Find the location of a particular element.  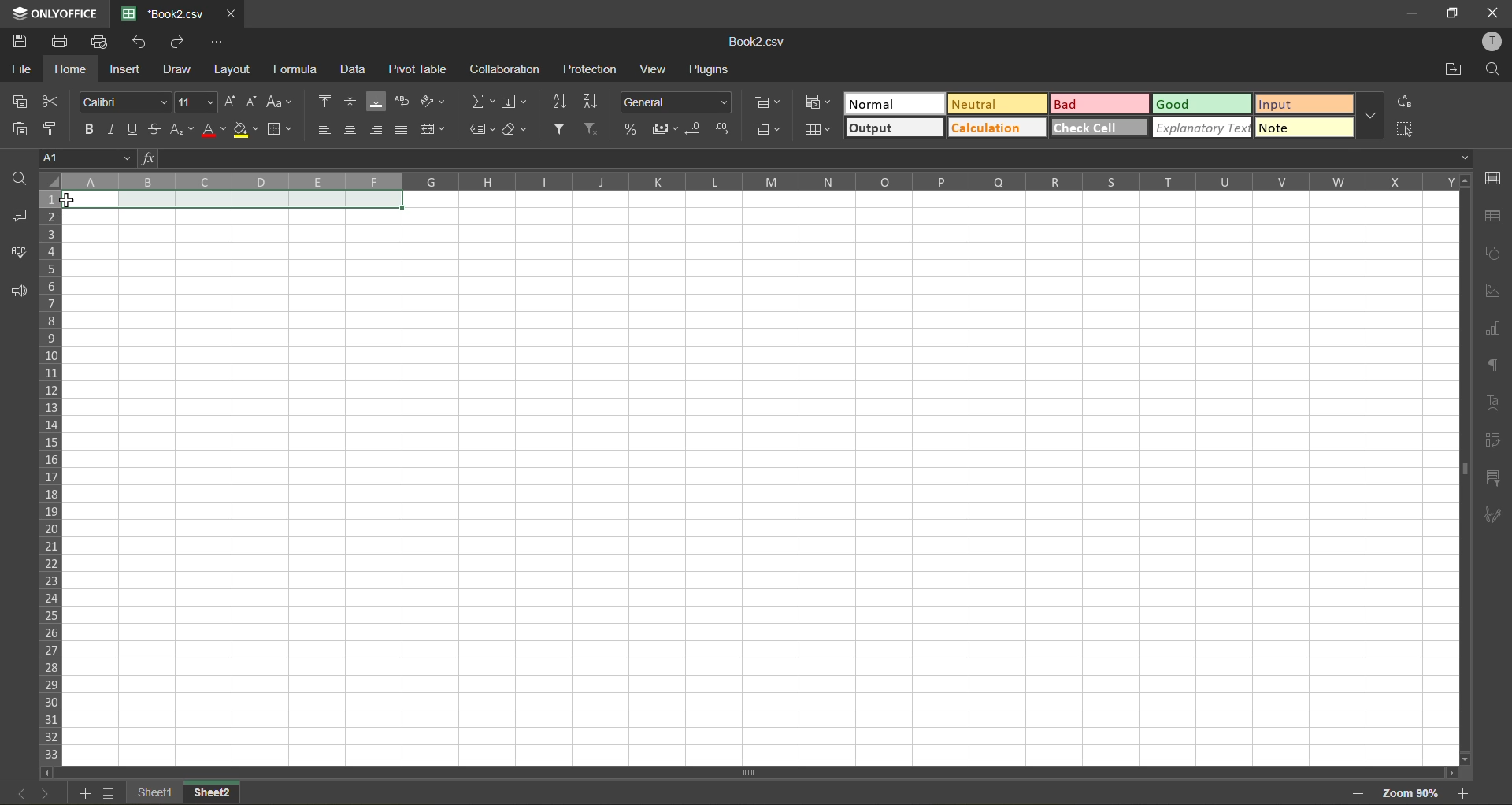

conditional formatting is located at coordinates (814, 105).